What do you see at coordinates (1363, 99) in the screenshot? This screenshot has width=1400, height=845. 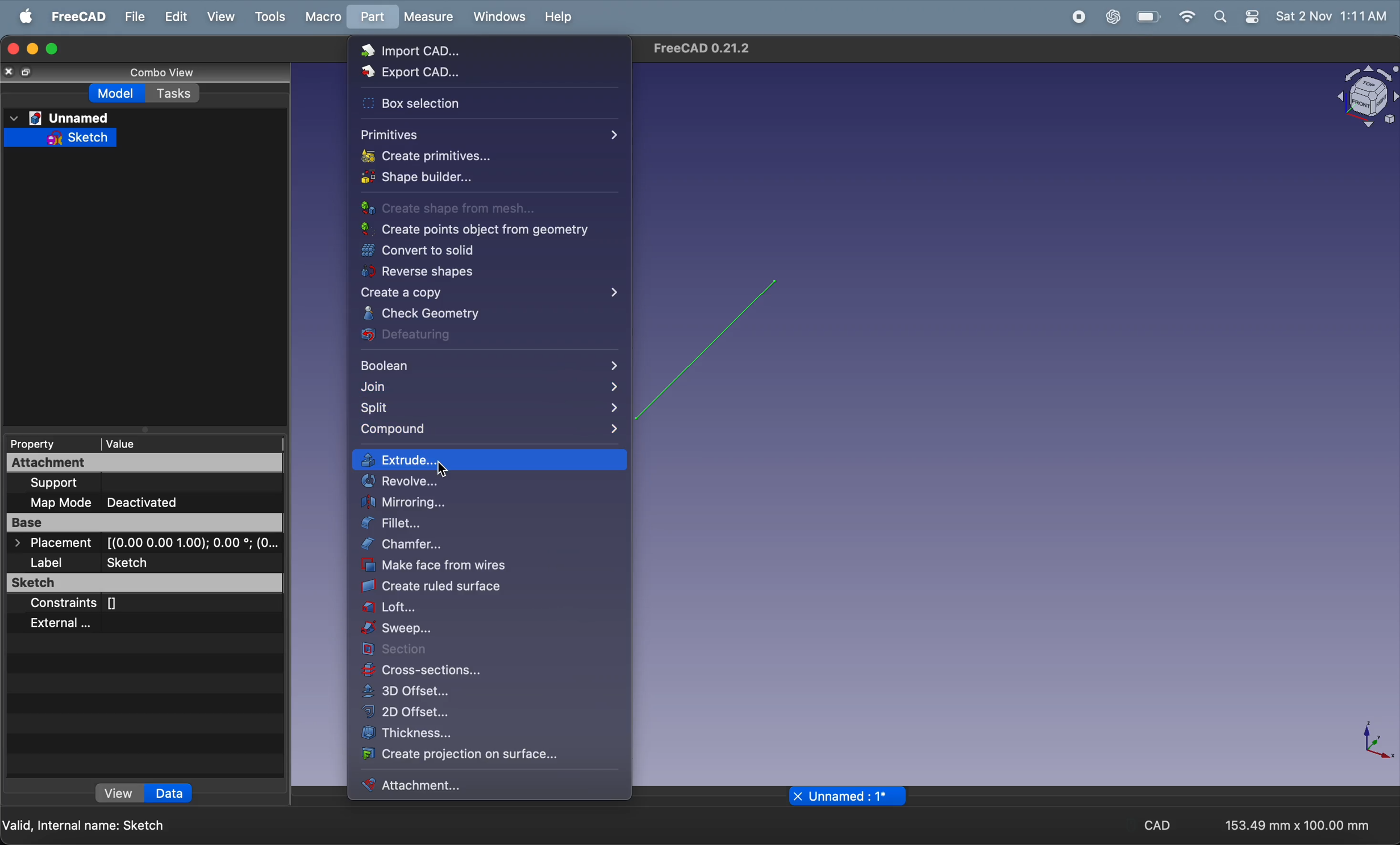 I see `object view` at bounding box center [1363, 99].